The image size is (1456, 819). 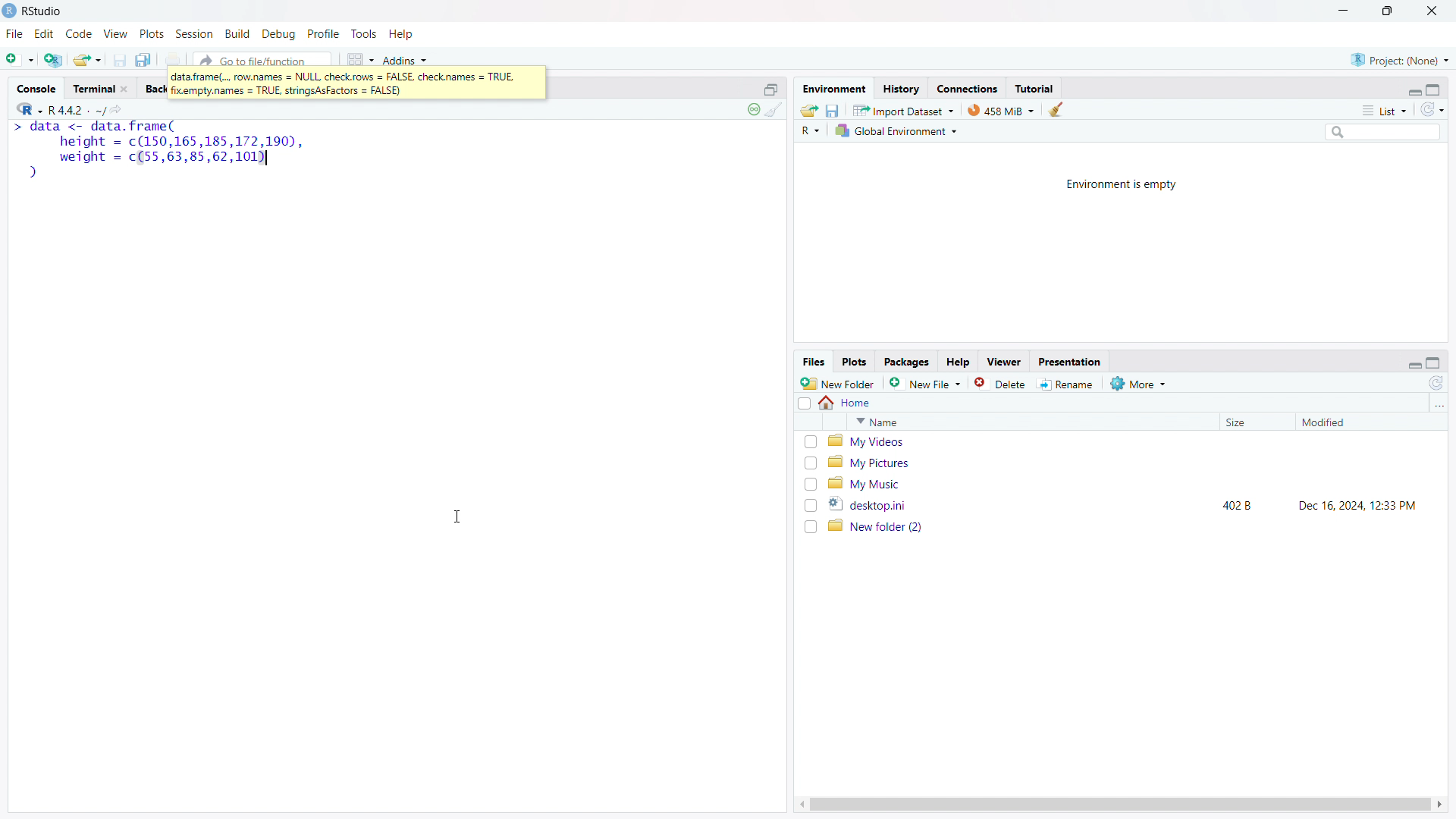 What do you see at coordinates (116, 34) in the screenshot?
I see `view` at bounding box center [116, 34].